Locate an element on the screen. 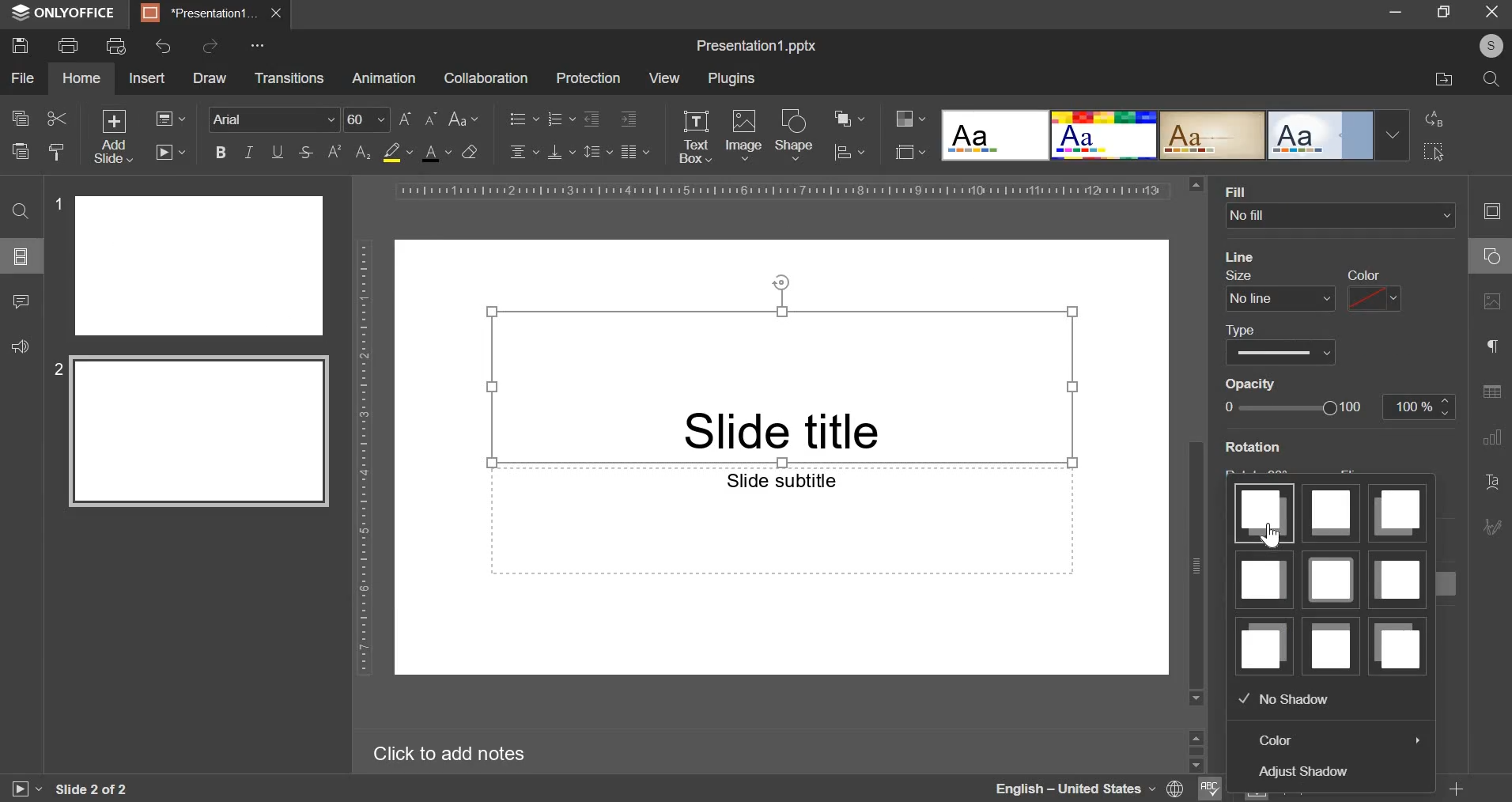 This screenshot has width=1512, height=802. undo is located at coordinates (164, 46).